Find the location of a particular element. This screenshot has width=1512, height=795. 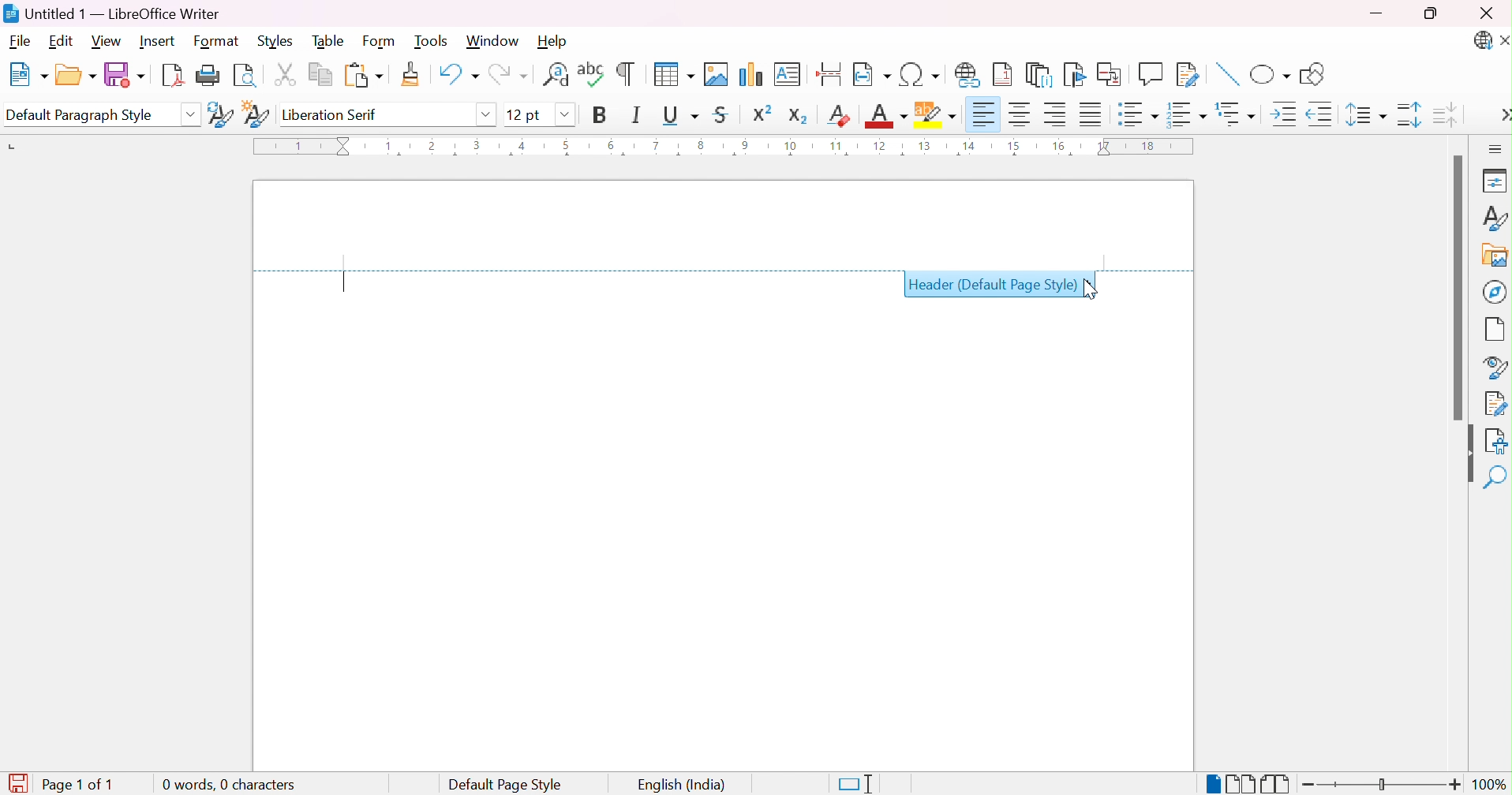

Book view is located at coordinates (1275, 783).